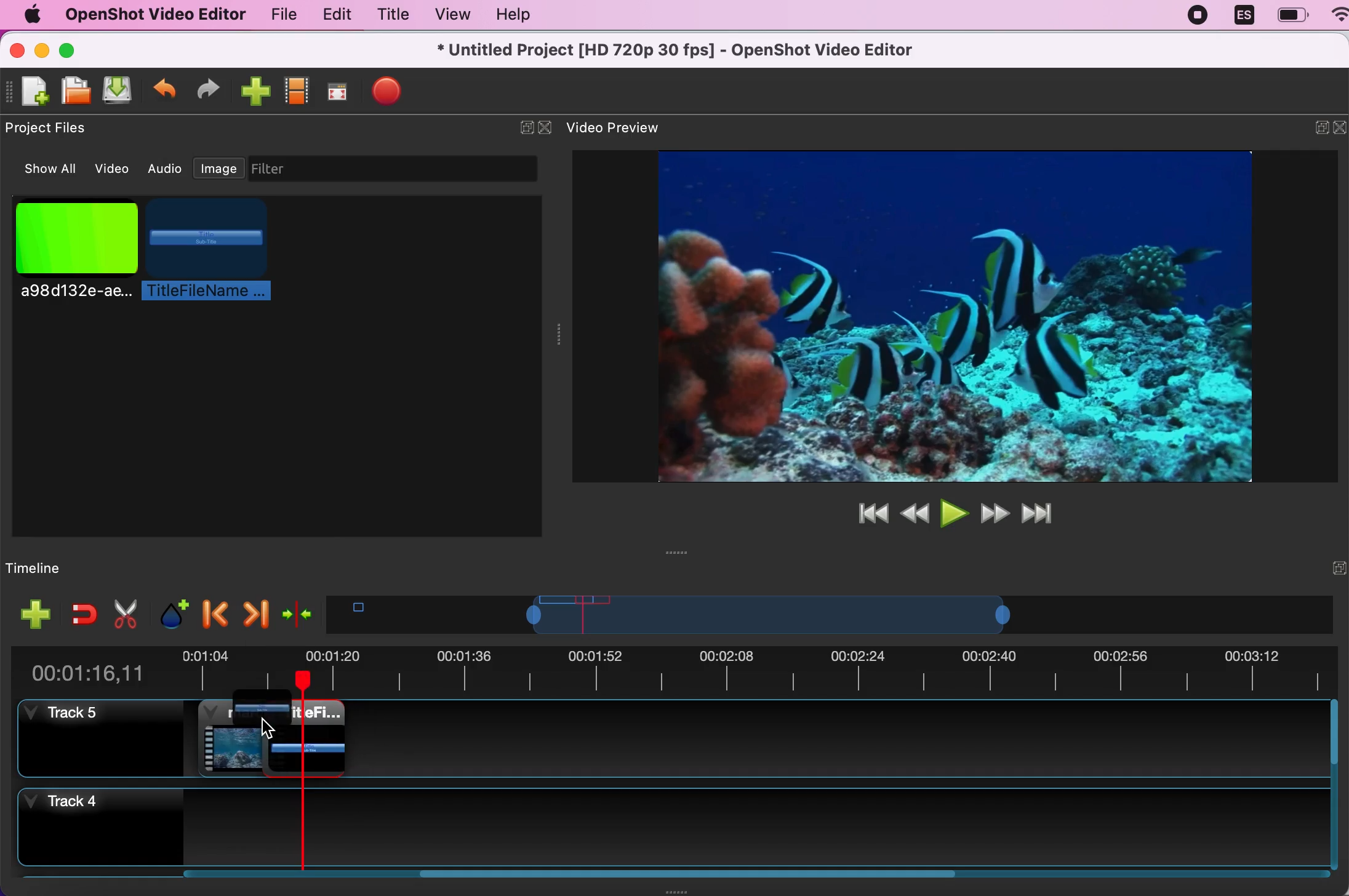 The image size is (1349, 896). I want to click on clip 1, so click(237, 737).